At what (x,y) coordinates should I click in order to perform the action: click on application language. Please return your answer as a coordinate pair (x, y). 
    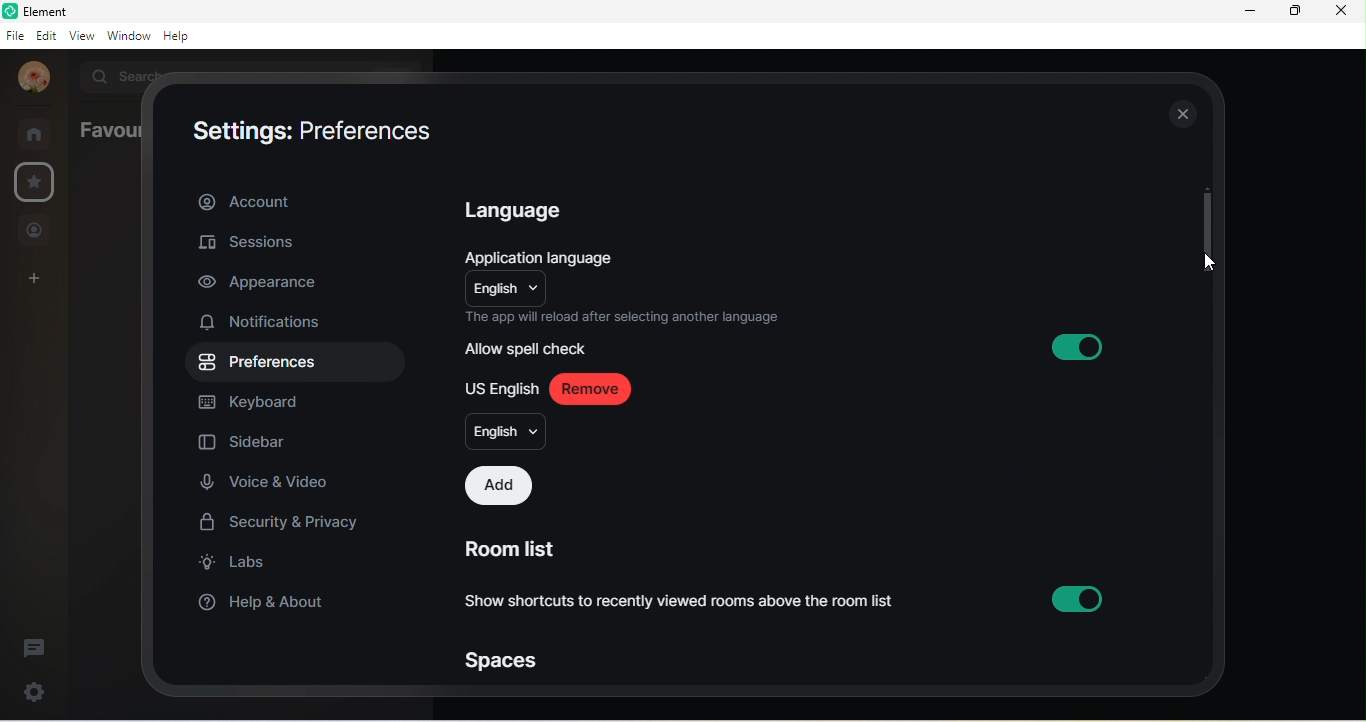
    Looking at the image, I should click on (549, 255).